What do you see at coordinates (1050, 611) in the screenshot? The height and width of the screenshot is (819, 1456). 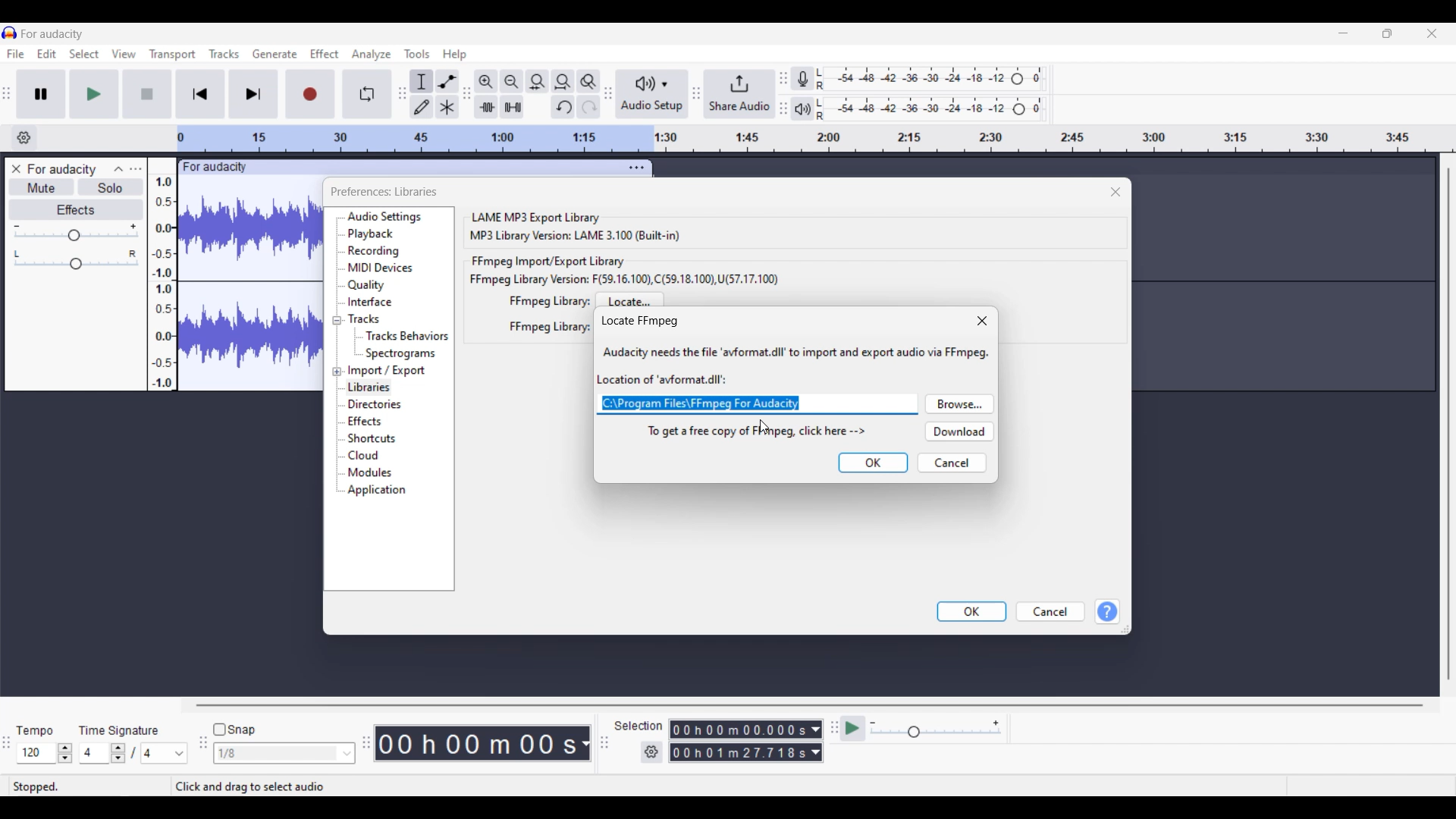 I see `Cancel` at bounding box center [1050, 611].